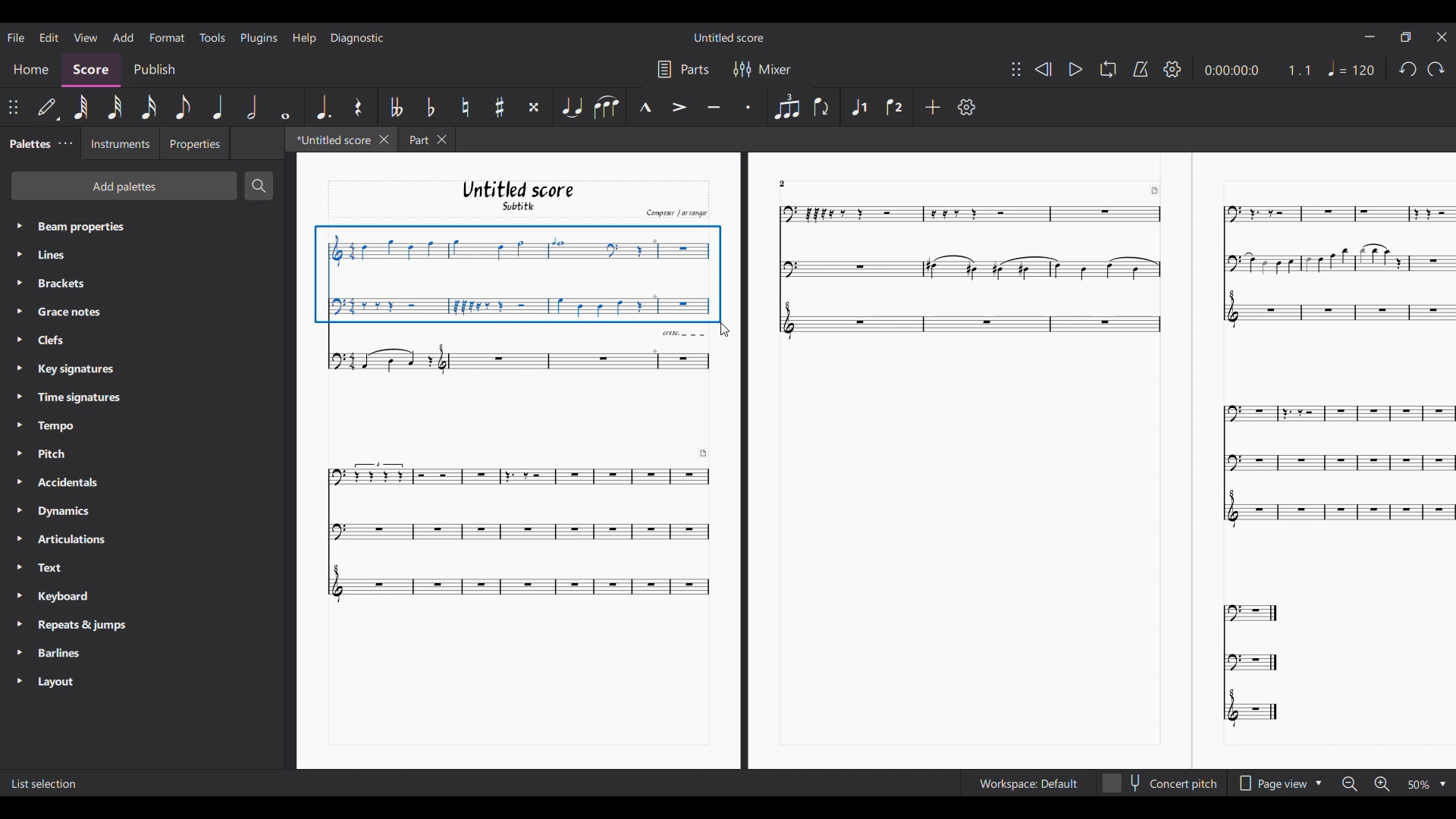  What do you see at coordinates (1339, 463) in the screenshot?
I see `` at bounding box center [1339, 463].